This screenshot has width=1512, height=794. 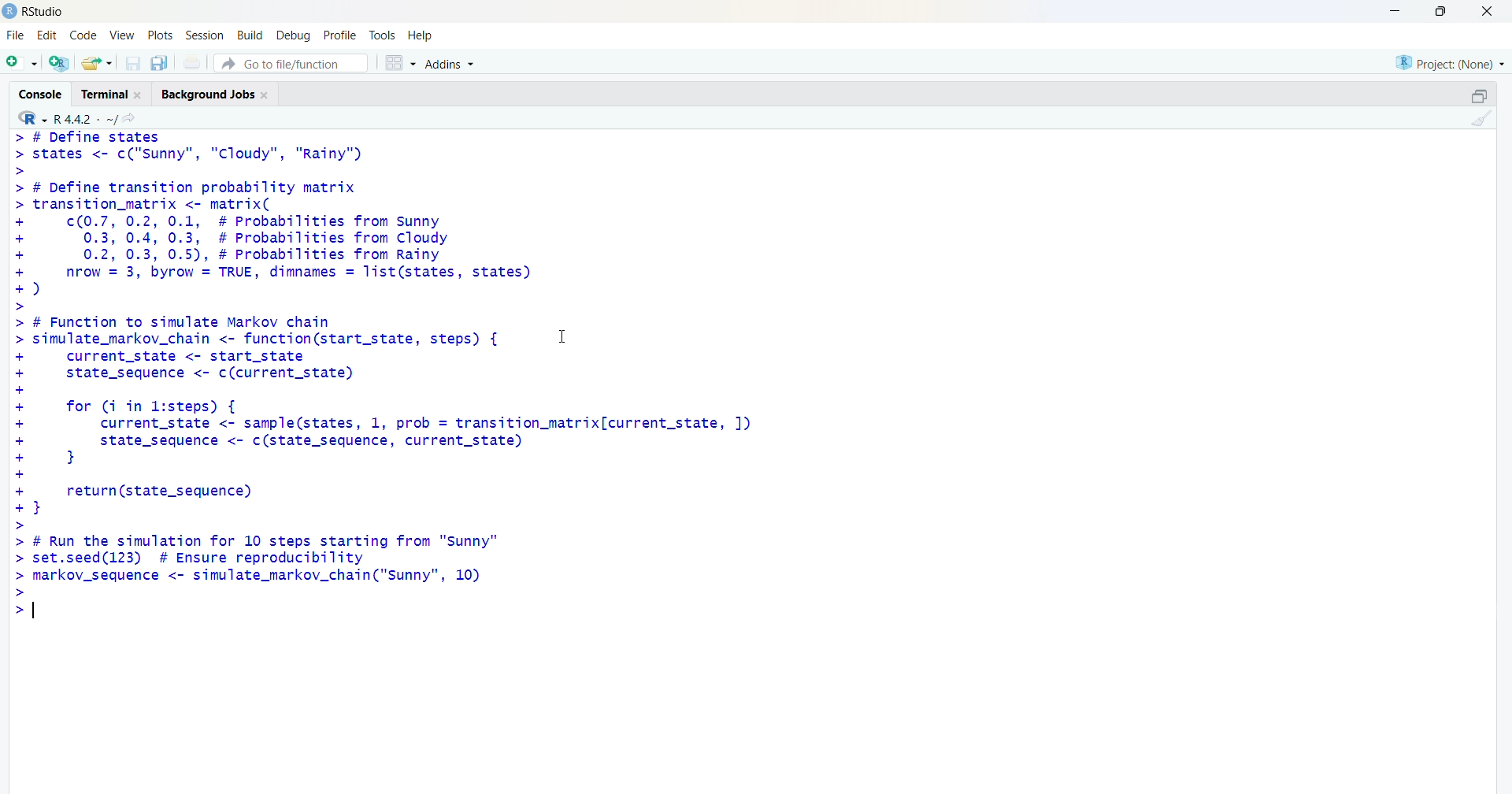 What do you see at coordinates (422, 35) in the screenshot?
I see `help` at bounding box center [422, 35].